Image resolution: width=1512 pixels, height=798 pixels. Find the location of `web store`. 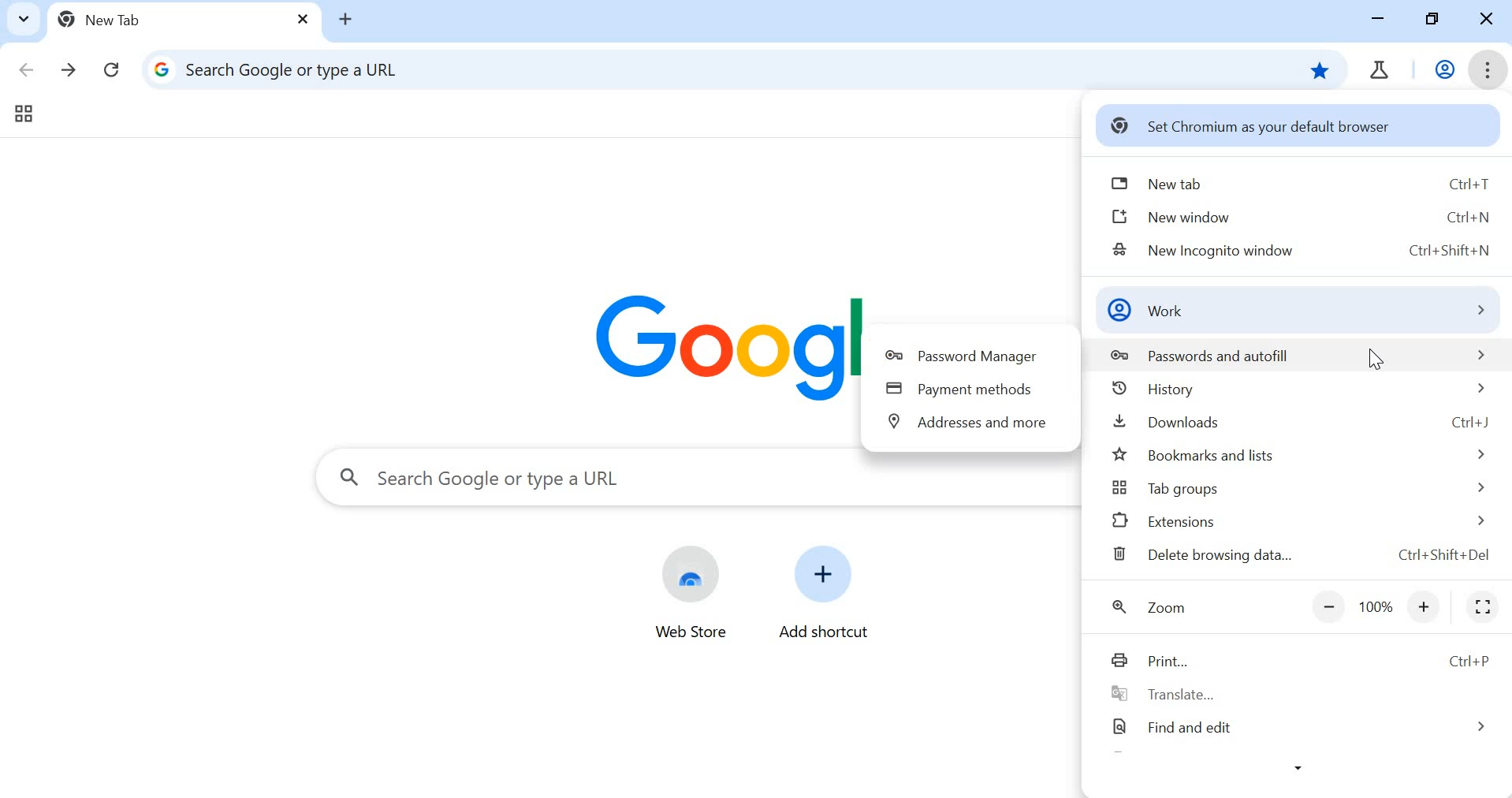

web store is located at coordinates (693, 592).